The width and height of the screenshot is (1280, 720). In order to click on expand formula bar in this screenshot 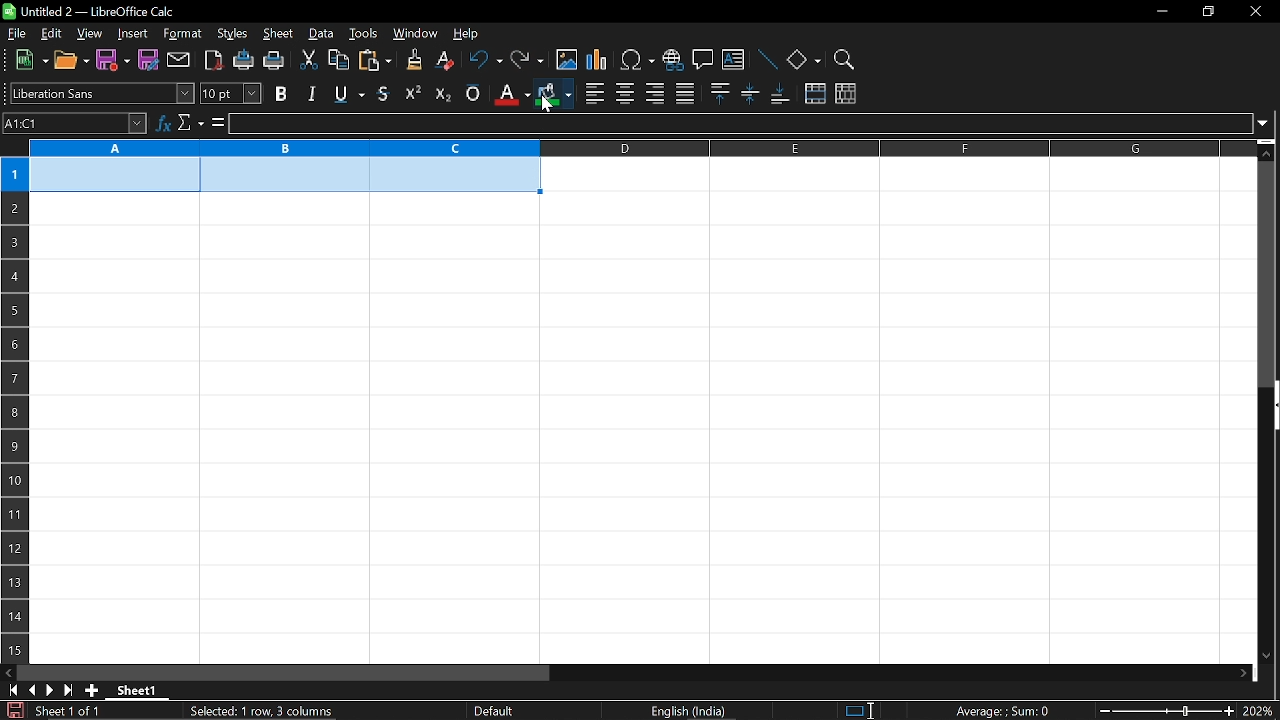, I will do `click(1266, 123)`.